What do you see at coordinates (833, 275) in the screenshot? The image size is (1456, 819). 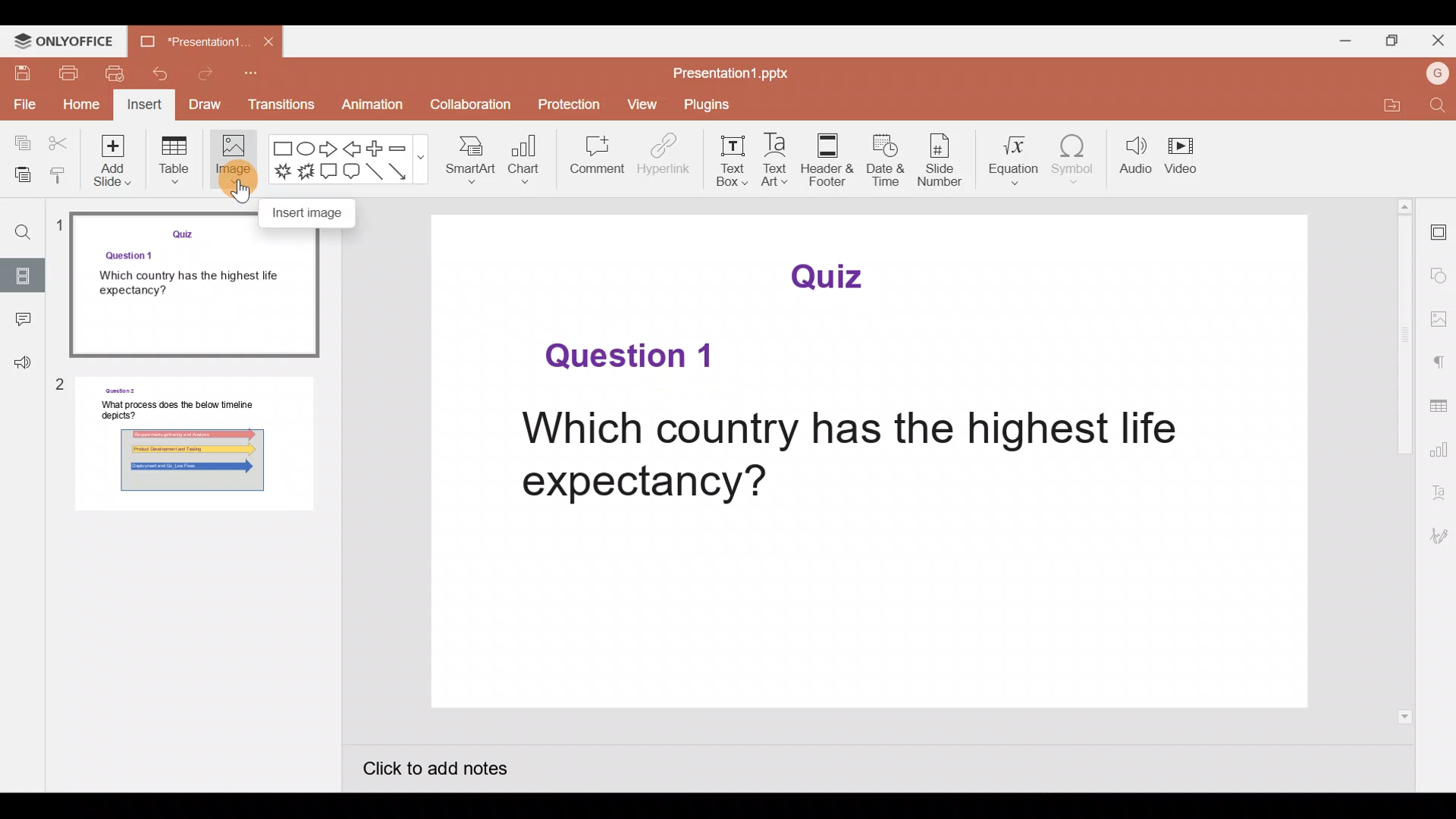 I see `Quiz` at bounding box center [833, 275].